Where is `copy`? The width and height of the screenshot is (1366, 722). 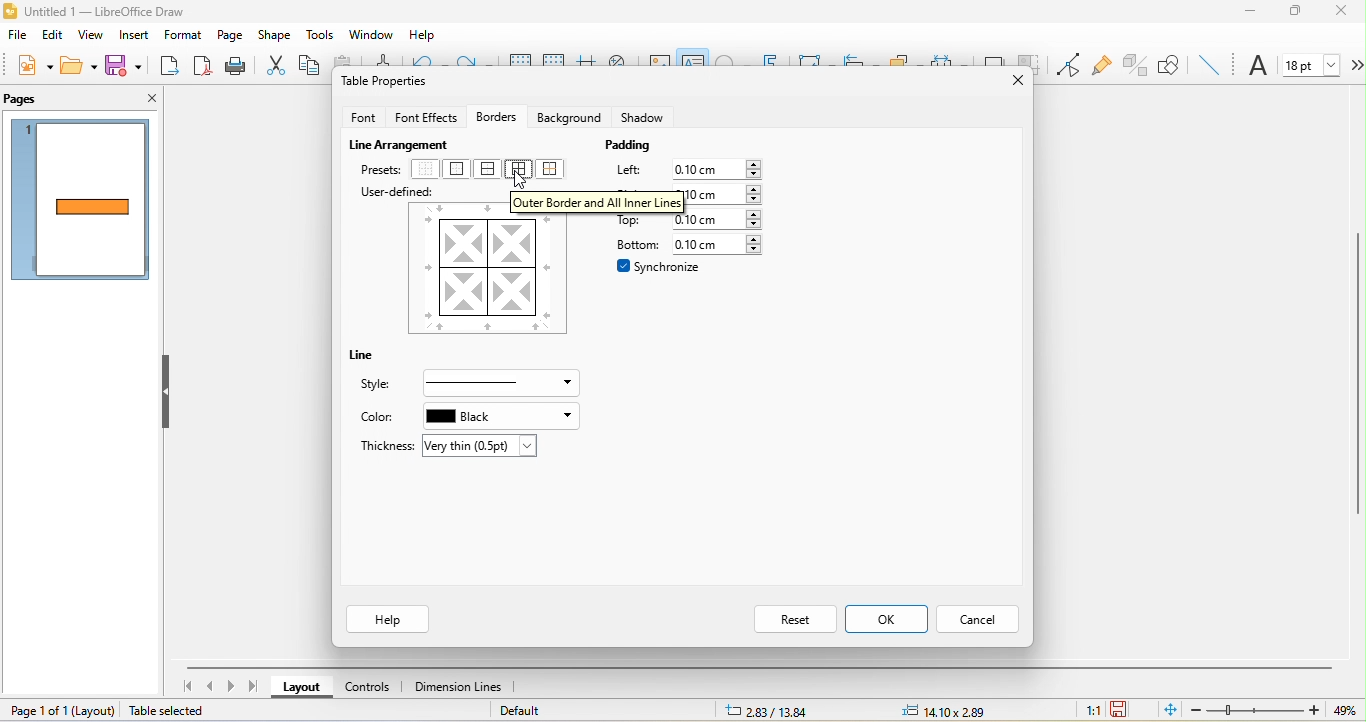
copy is located at coordinates (313, 66).